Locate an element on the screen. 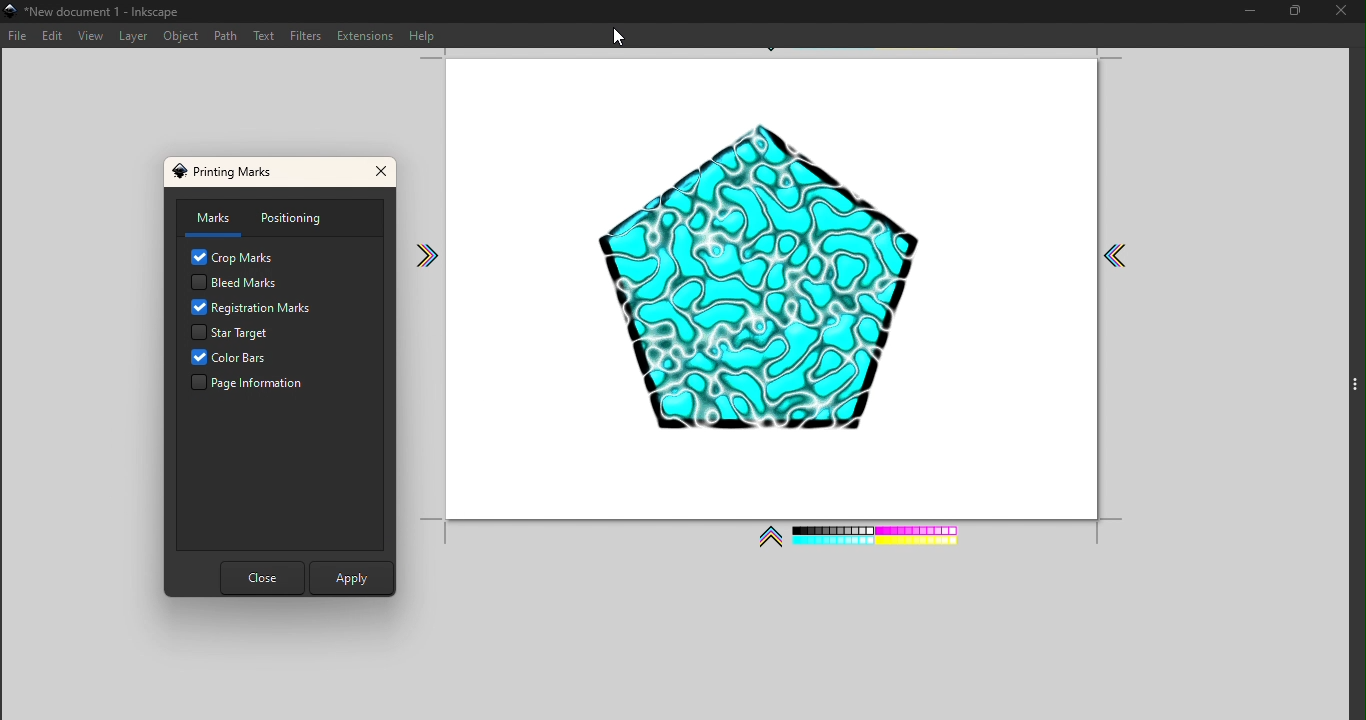 The height and width of the screenshot is (720, 1366). Canvas is located at coordinates (796, 307).